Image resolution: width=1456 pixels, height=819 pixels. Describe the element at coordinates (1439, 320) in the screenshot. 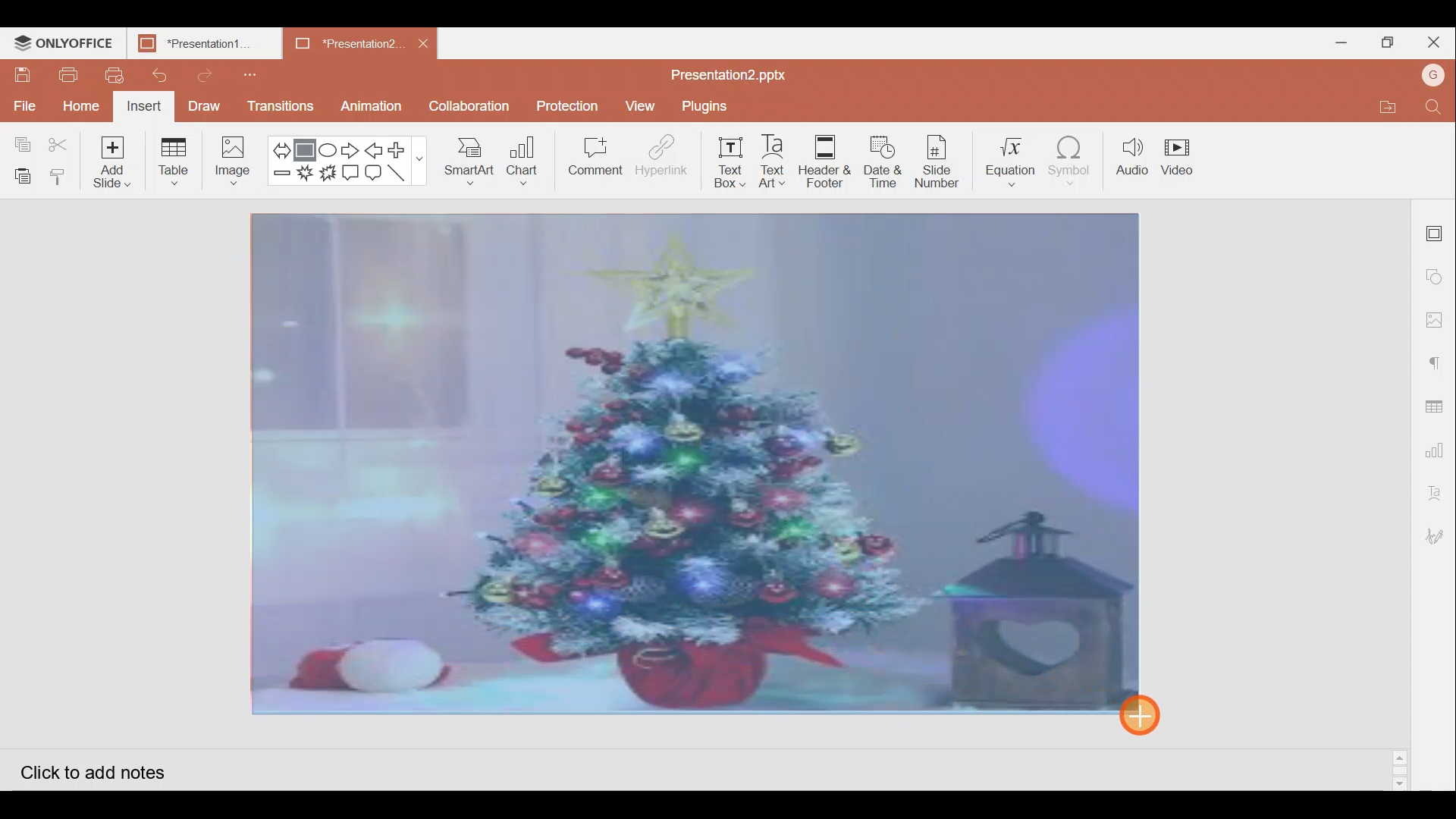

I see `Image settings` at that location.